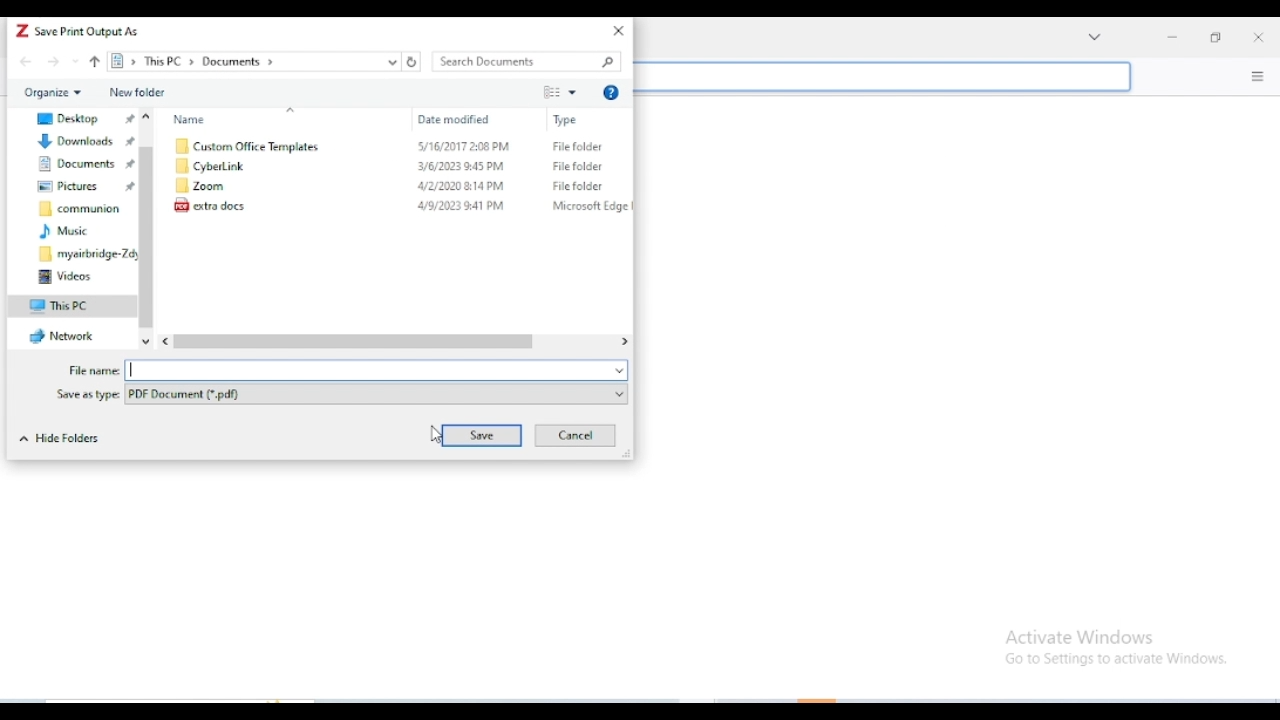 This screenshot has width=1280, height=720. Describe the element at coordinates (461, 206) in the screenshot. I see `4/9/2023 41 PM` at that location.